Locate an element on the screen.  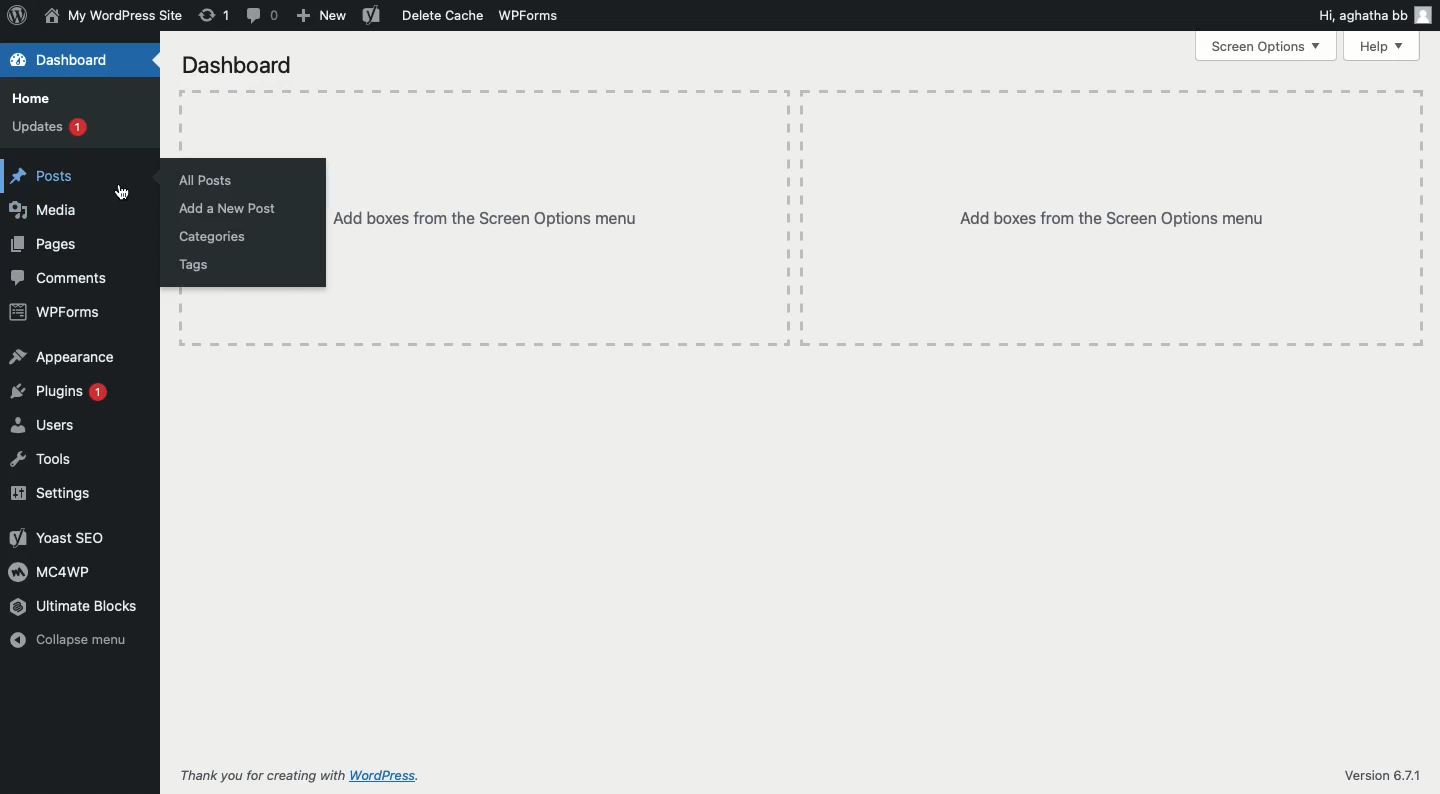
Add boxes from the screen options menu is located at coordinates (1112, 217).